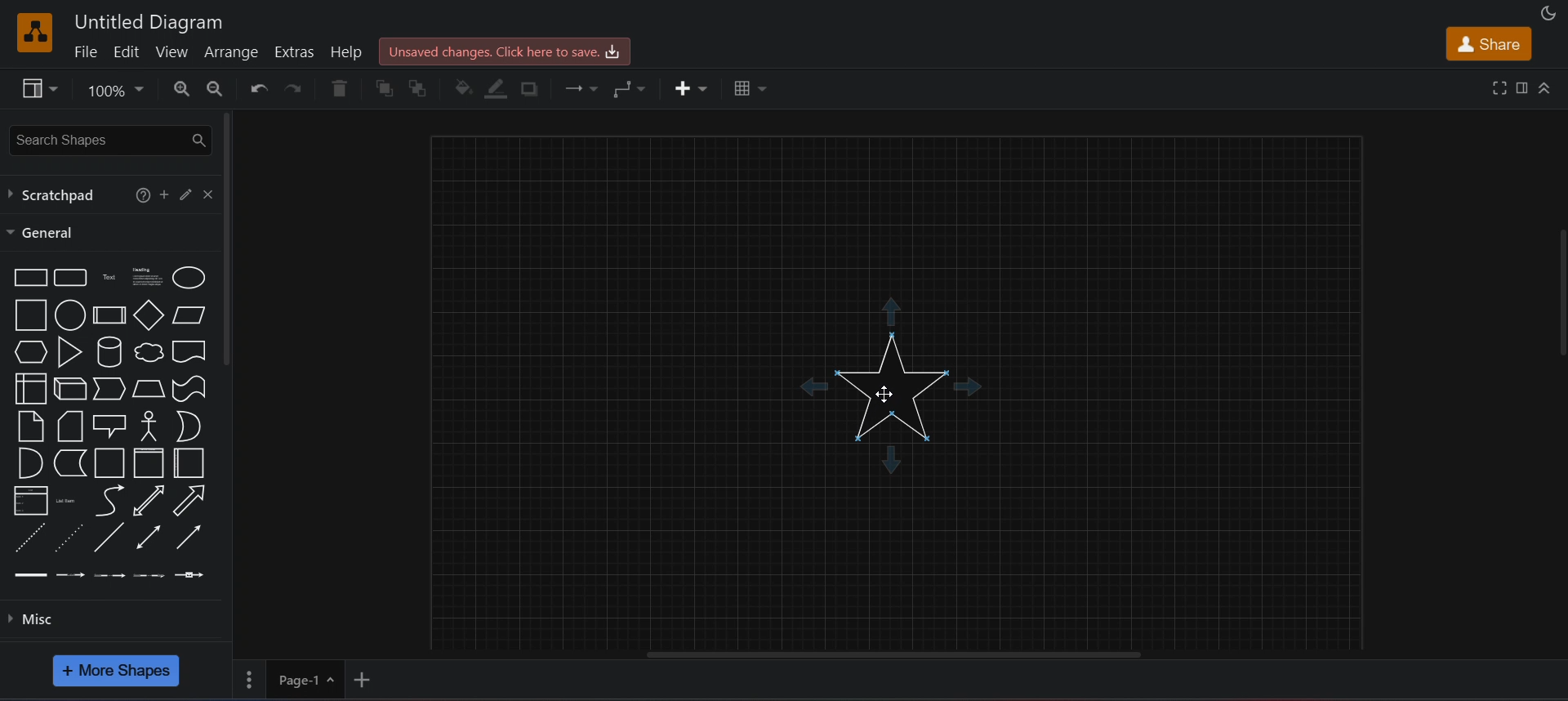  Describe the element at coordinates (632, 90) in the screenshot. I see `waypoints` at that location.